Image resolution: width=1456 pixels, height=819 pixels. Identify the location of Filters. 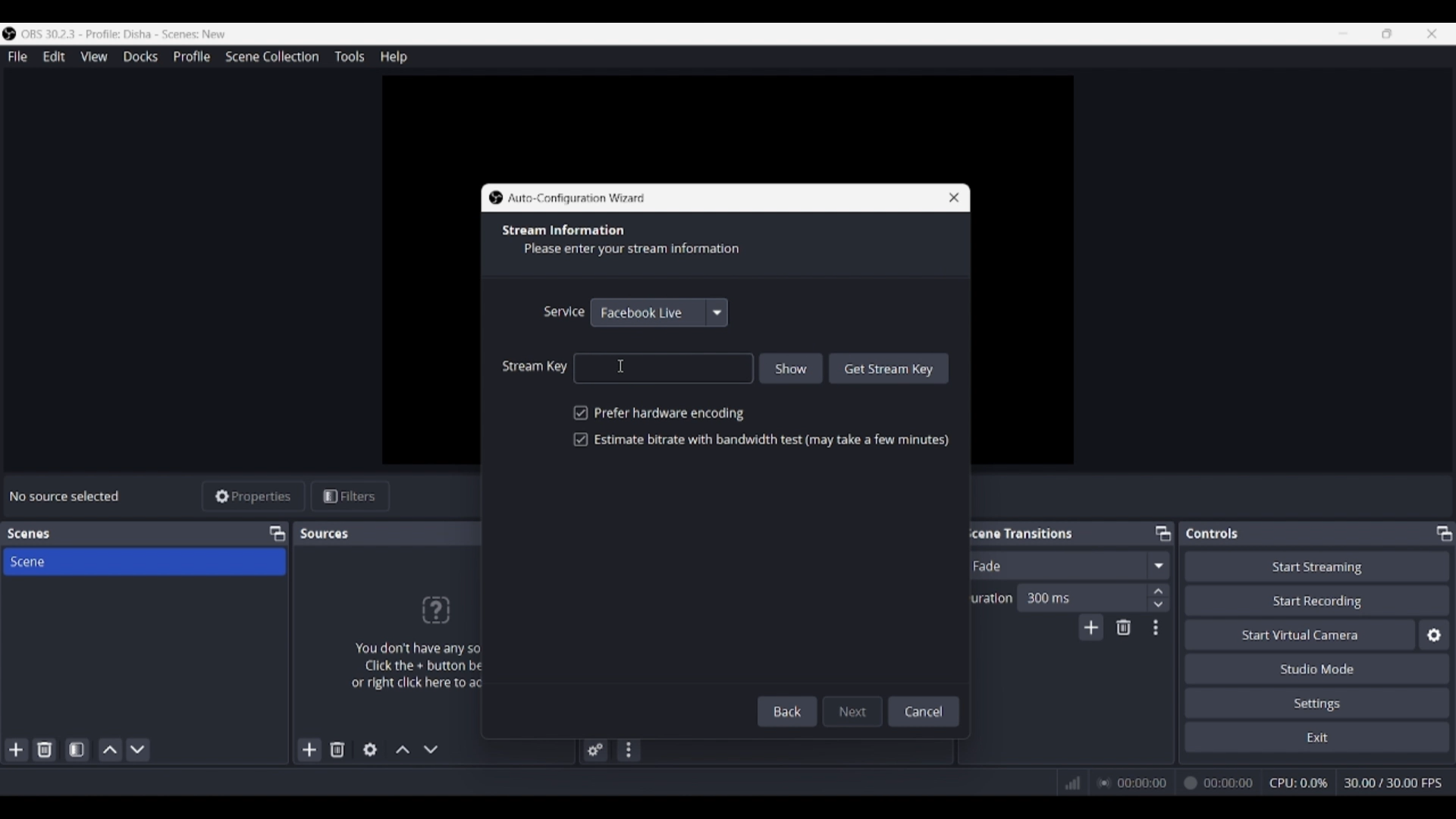
(350, 497).